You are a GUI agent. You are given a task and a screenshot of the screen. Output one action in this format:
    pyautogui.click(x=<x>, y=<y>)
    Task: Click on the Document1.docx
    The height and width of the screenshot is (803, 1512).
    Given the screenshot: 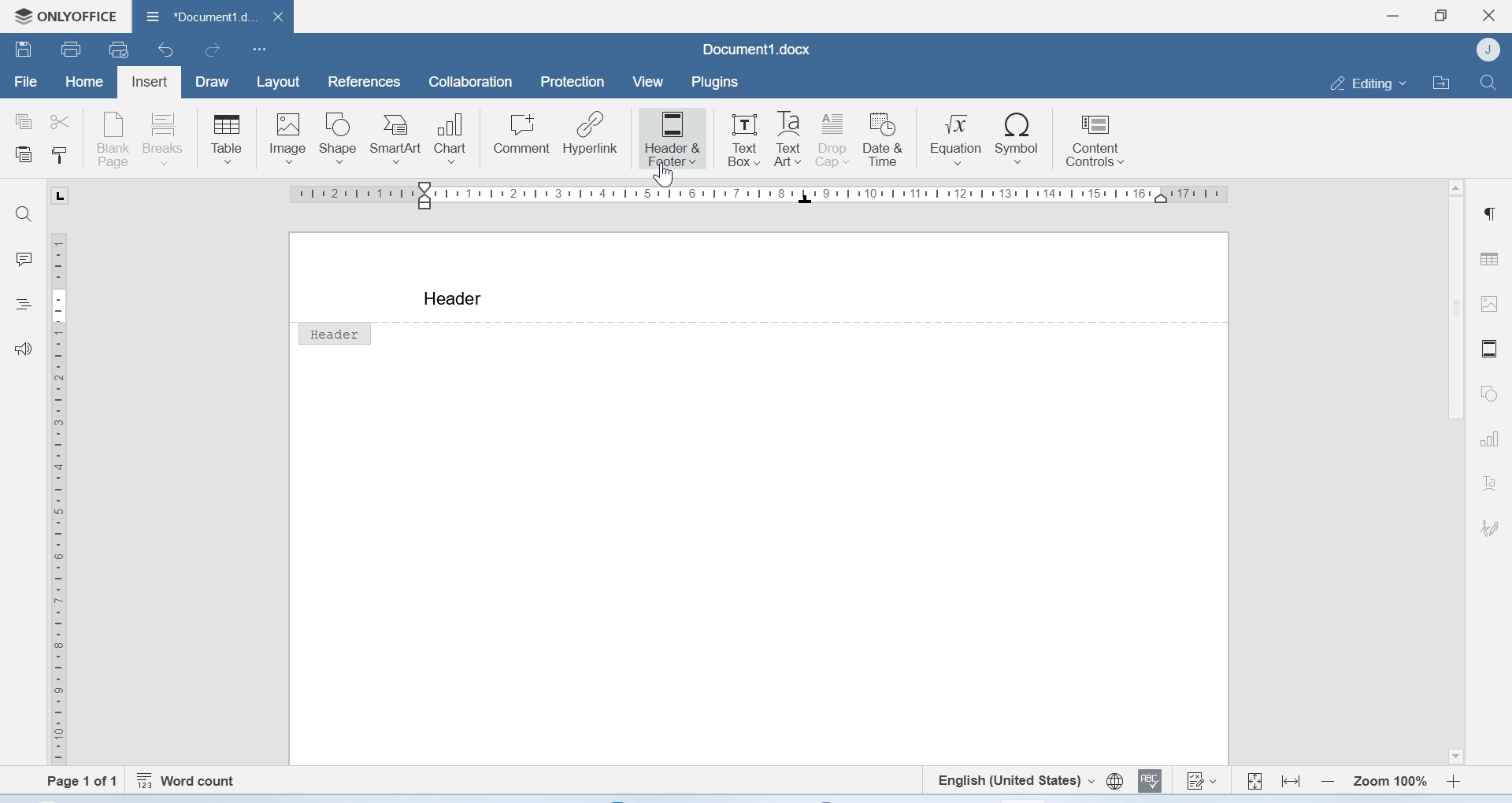 What is the action you would take?
    pyautogui.click(x=756, y=49)
    